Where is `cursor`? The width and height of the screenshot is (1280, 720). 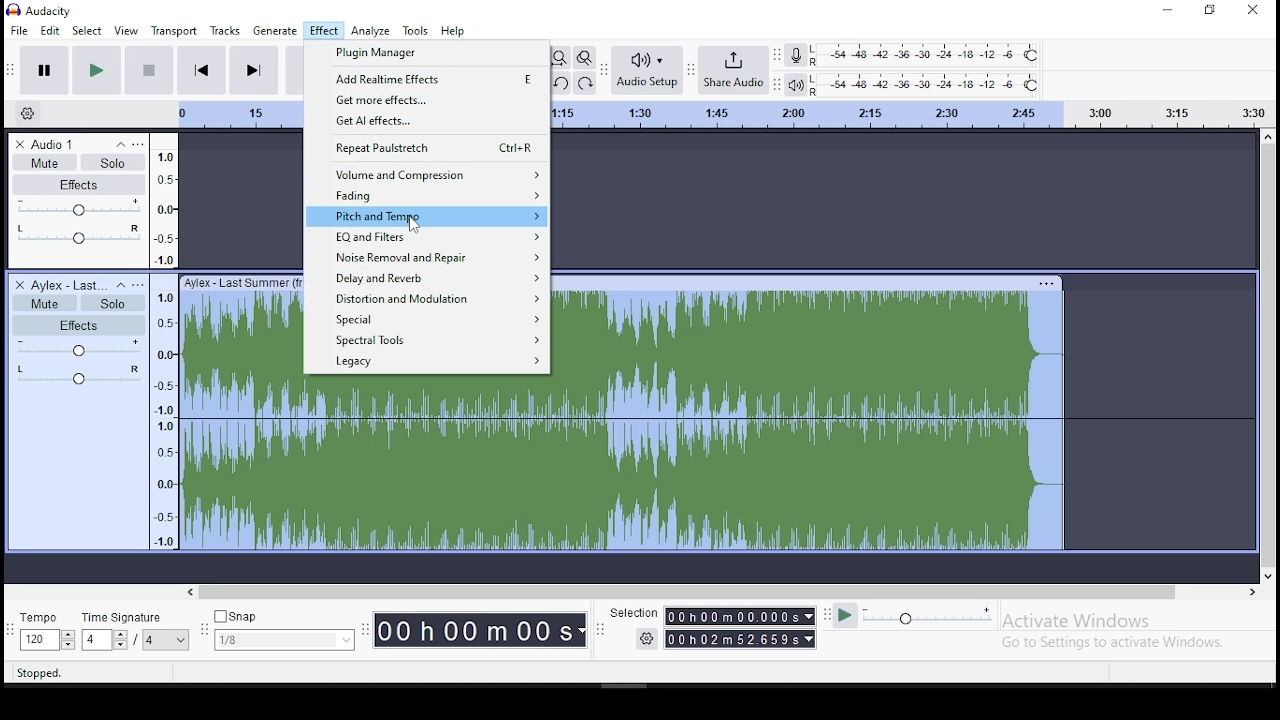
cursor is located at coordinates (411, 225).